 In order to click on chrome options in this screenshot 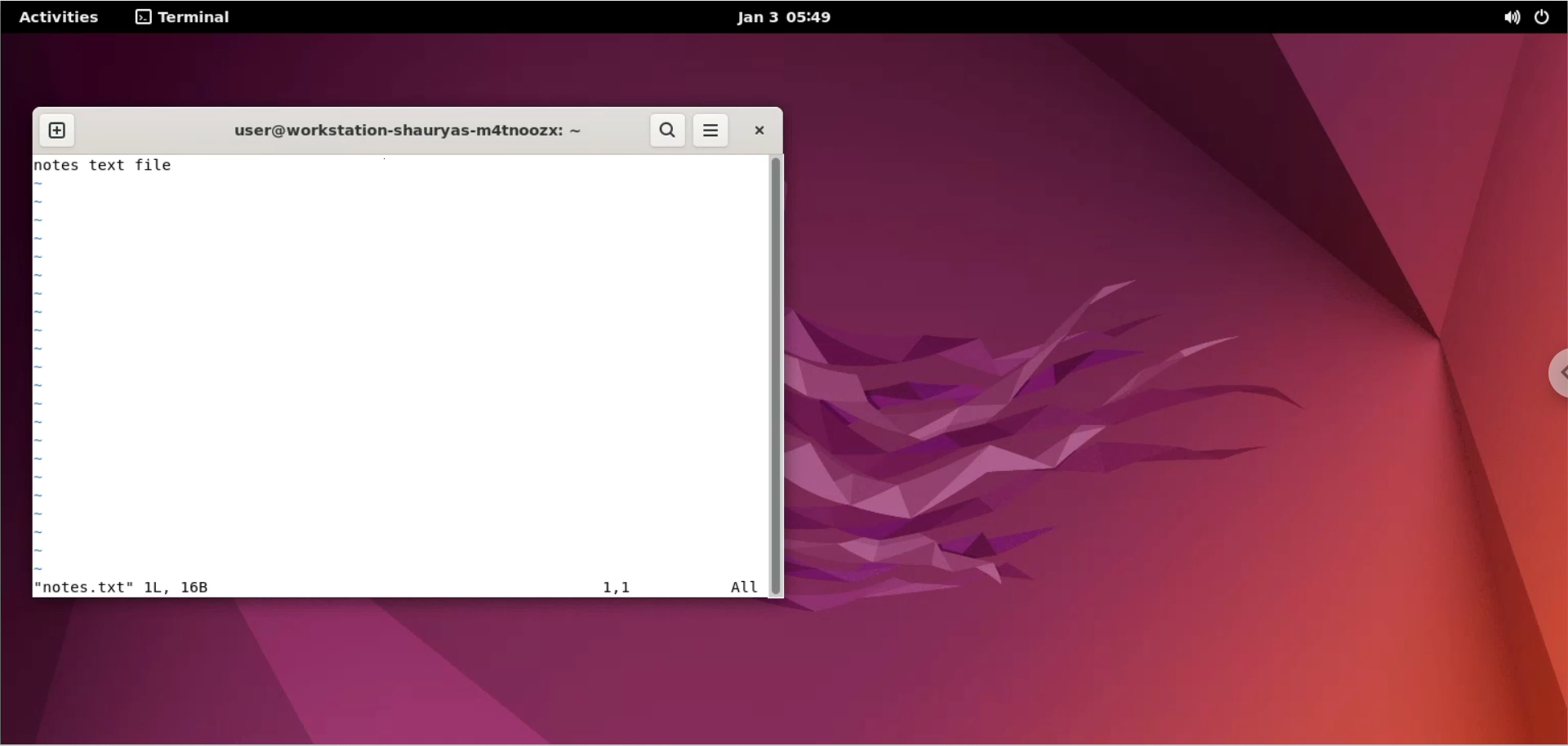, I will do `click(1552, 377)`.